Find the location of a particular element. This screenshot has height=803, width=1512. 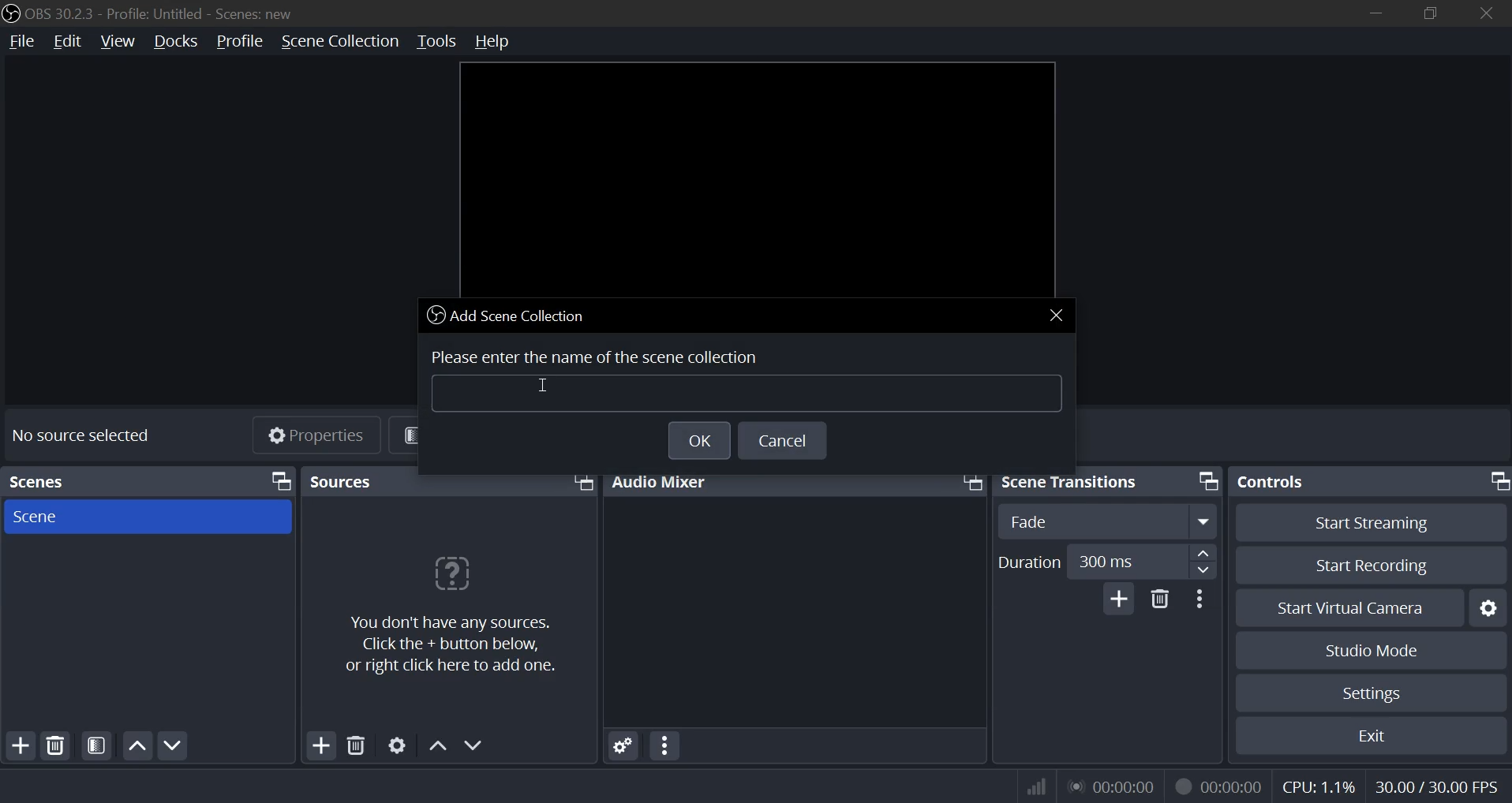

workspace is located at coordinates (755, 177).